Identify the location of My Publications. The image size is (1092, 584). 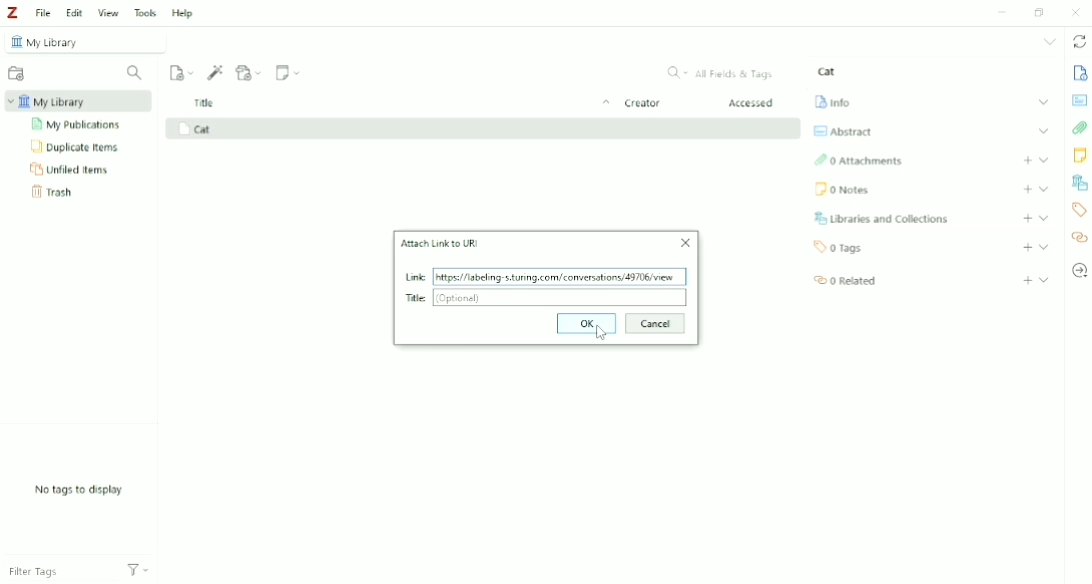
(78, 125).